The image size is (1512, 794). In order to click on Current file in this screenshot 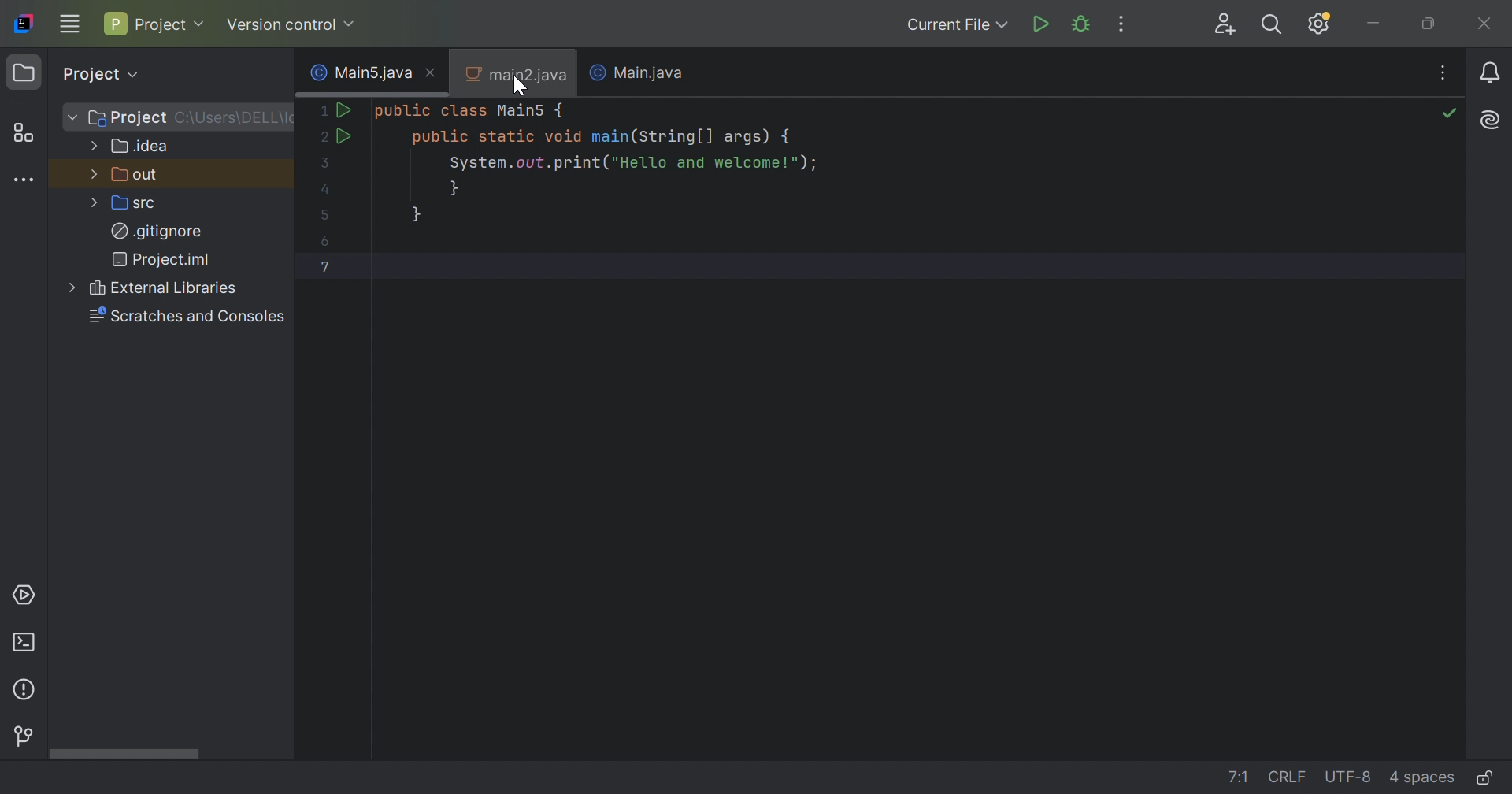, I will do `click(954, 24)`.